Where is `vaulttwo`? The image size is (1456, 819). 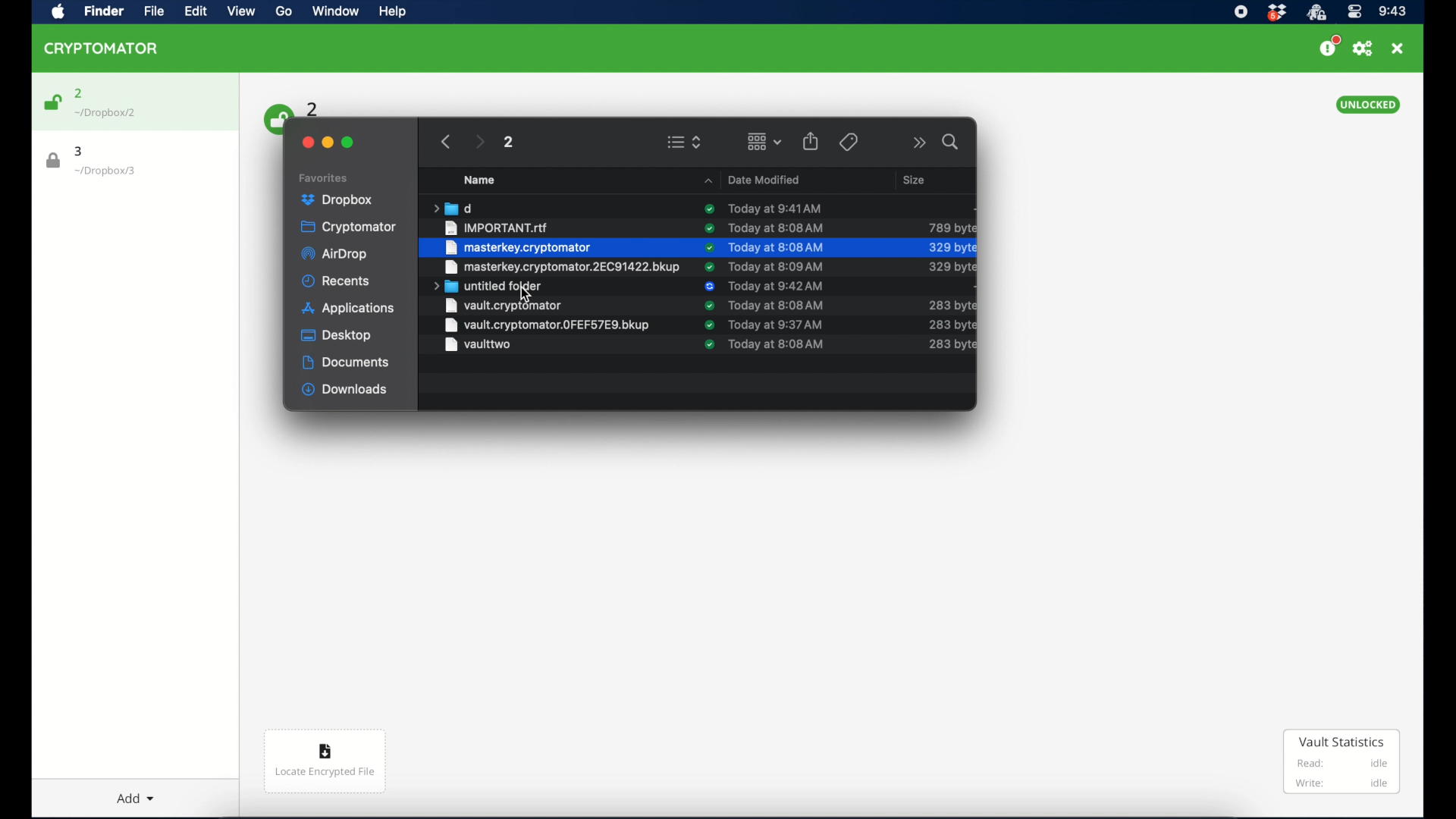 vaulttwo is located at coordinates (476, 347).